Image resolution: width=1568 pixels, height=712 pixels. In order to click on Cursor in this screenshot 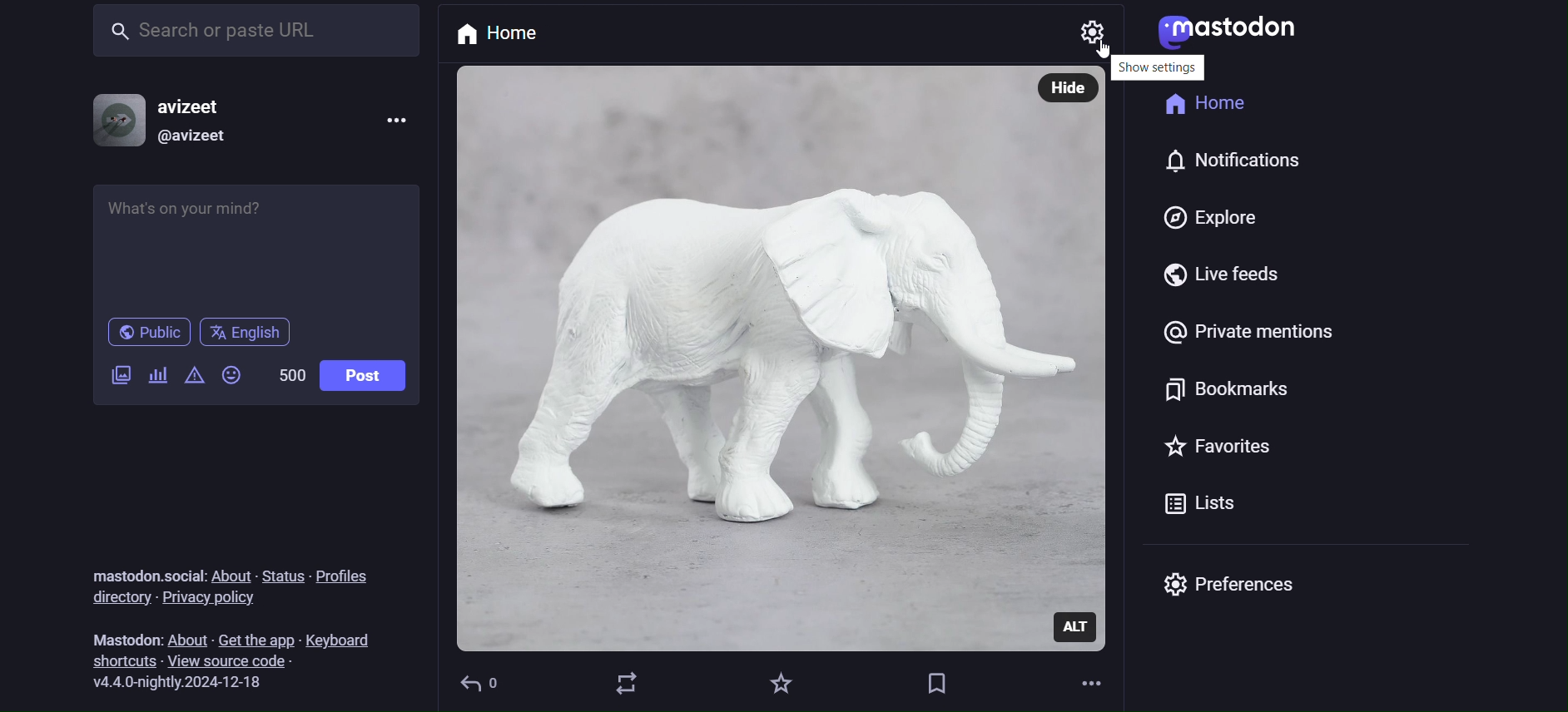, I will do `click(1107, 52)`.